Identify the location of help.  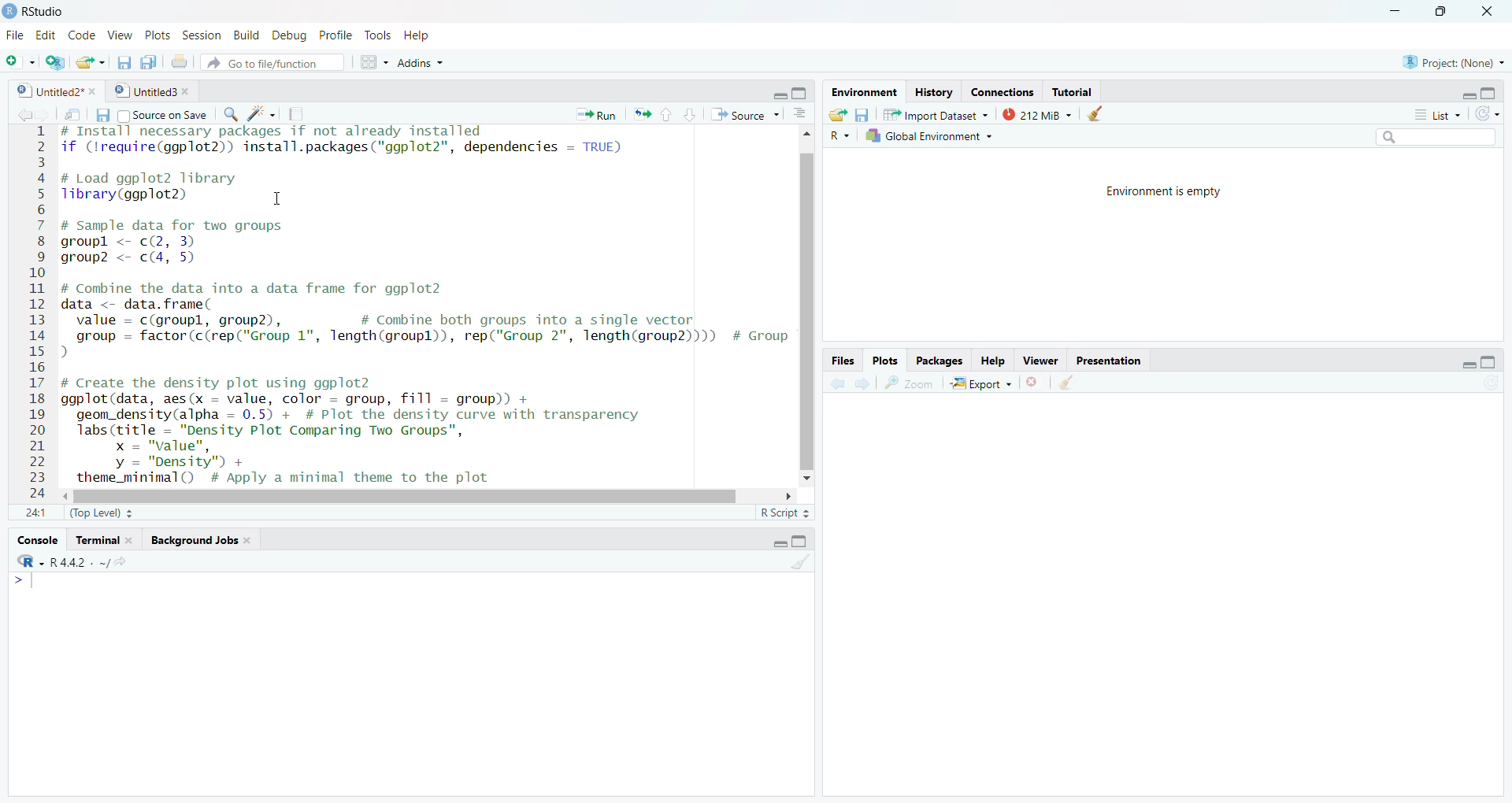
(990, 360).